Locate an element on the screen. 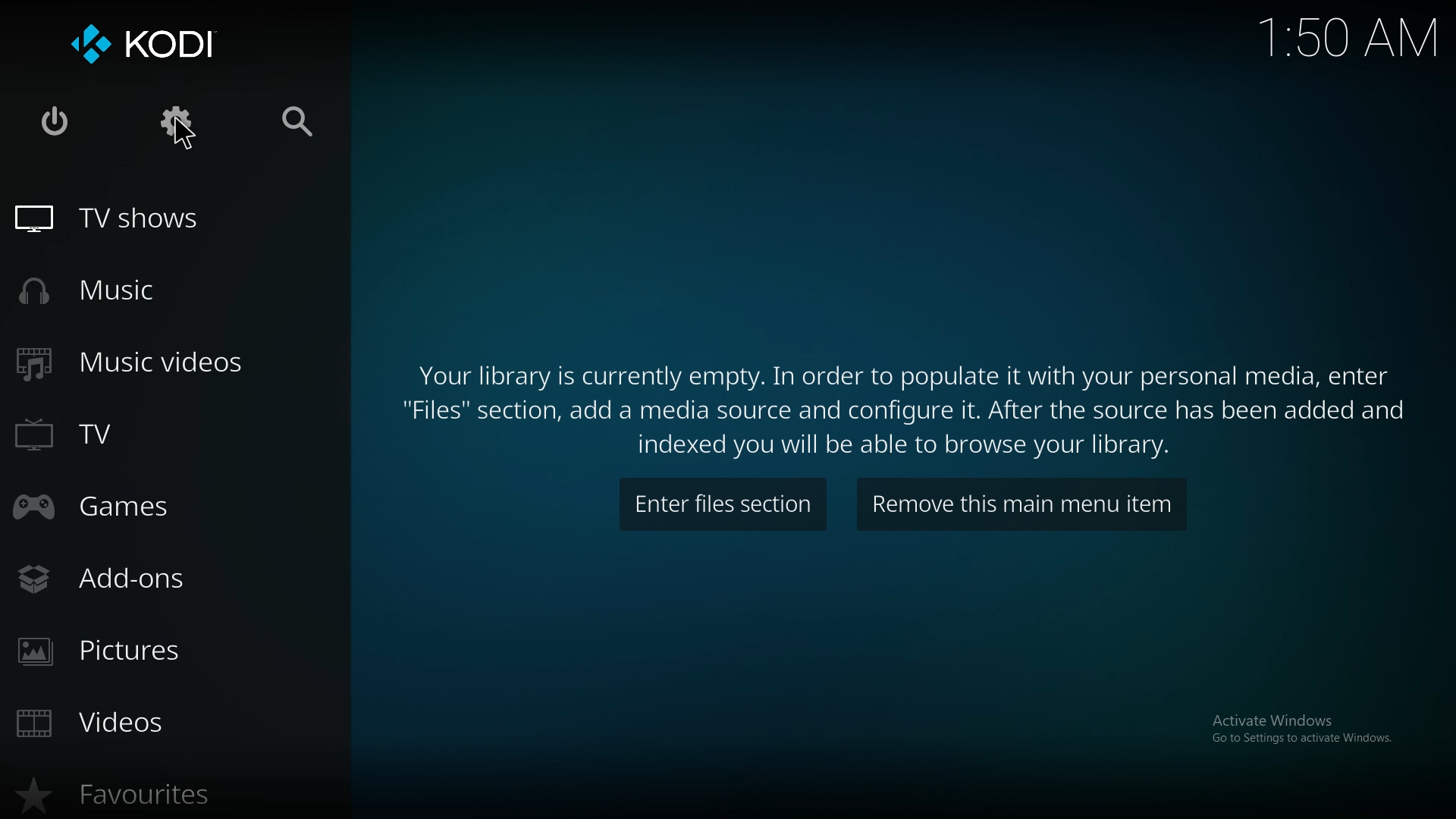 The width and height of the screenshot is (1456, 819). music is located at coordinates (129, 290).